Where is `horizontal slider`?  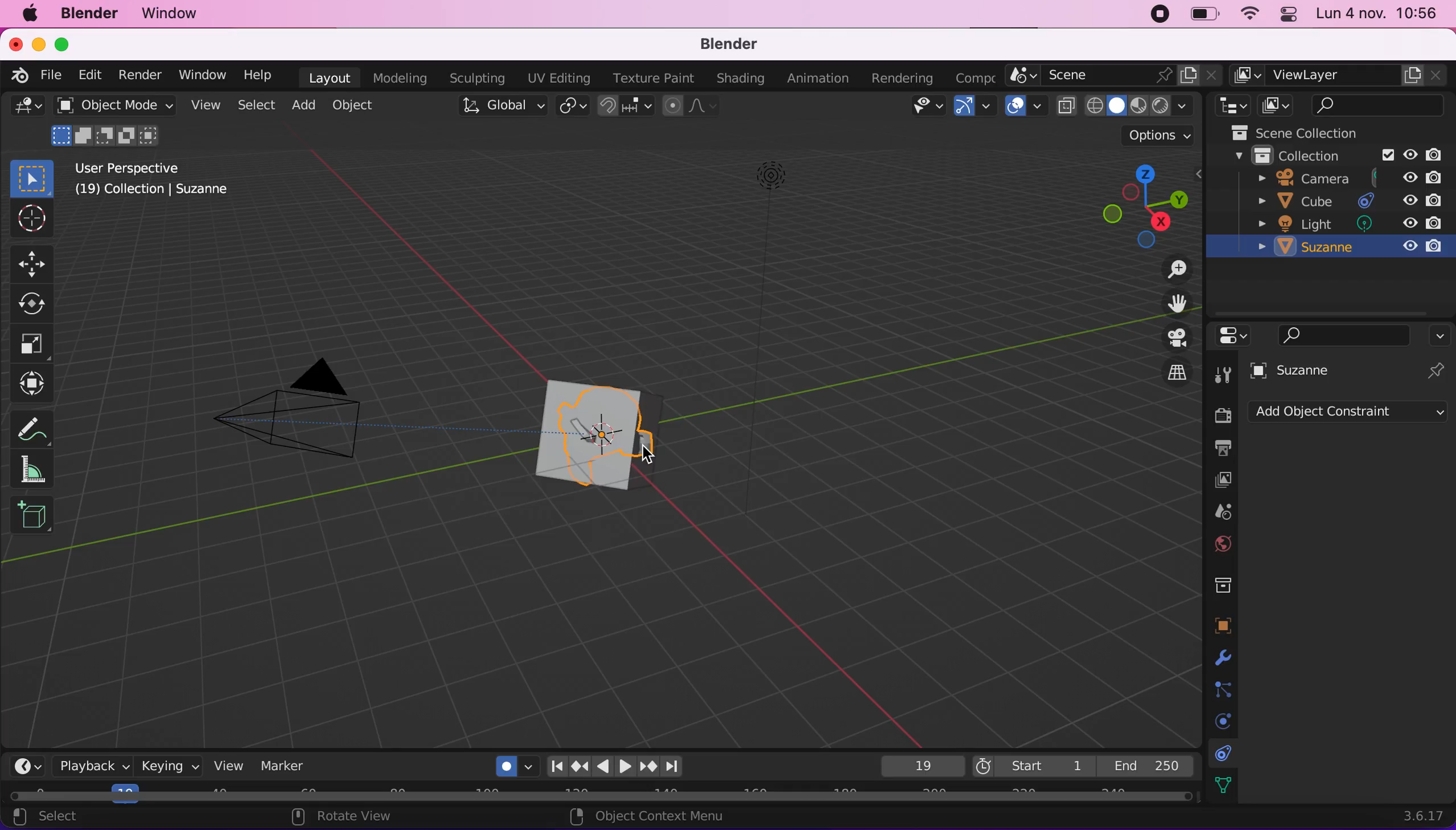 horizontal slider is located at coordinates (598, 792).